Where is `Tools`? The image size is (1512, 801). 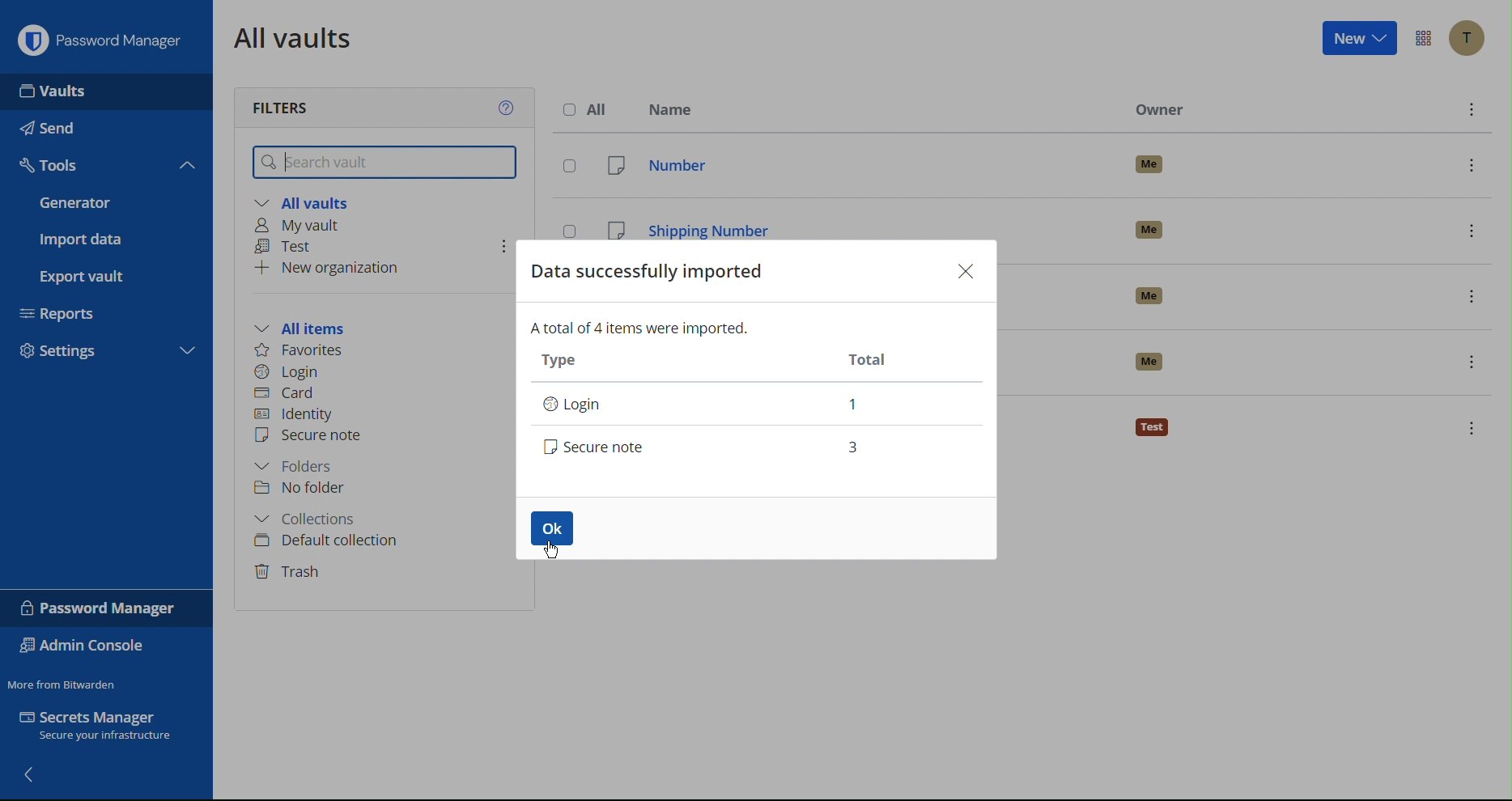
Tools is located at coordinates (86, 165).